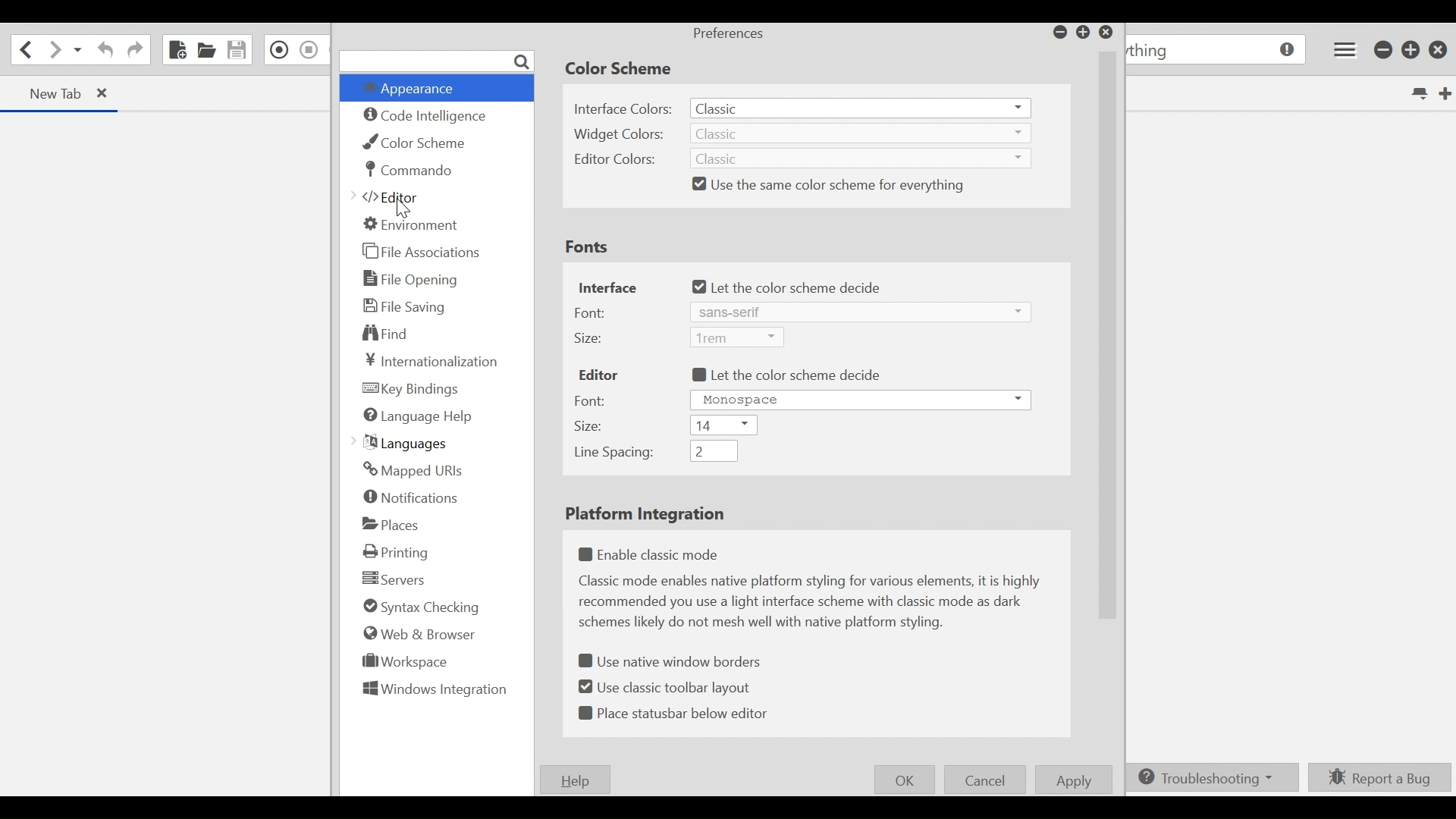  Describe the element at coordinates (25, 49) in the screenshot. I see `Go back one location` at that location.